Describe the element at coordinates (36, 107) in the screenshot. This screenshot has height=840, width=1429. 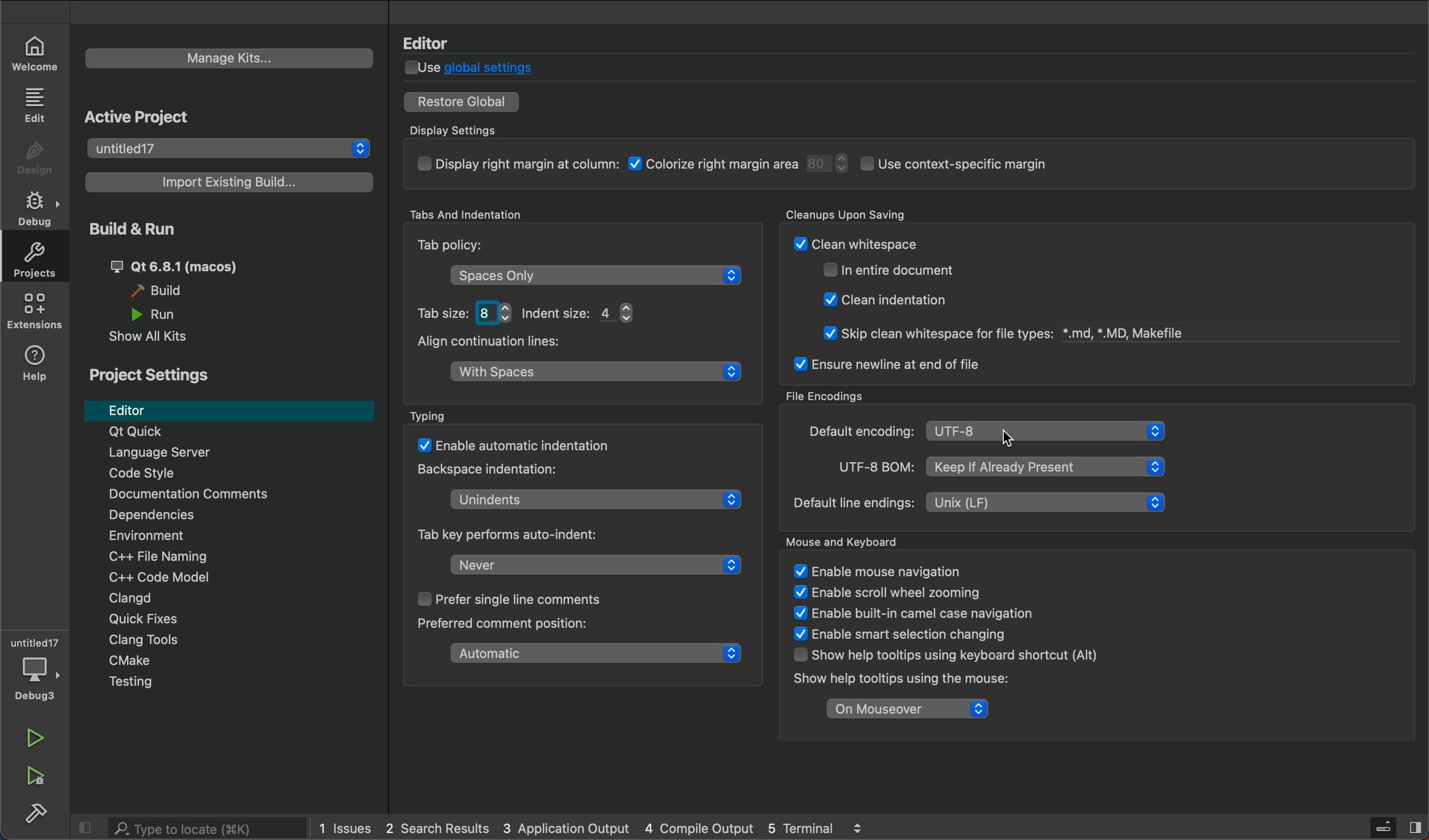
I see `edit` at that location.